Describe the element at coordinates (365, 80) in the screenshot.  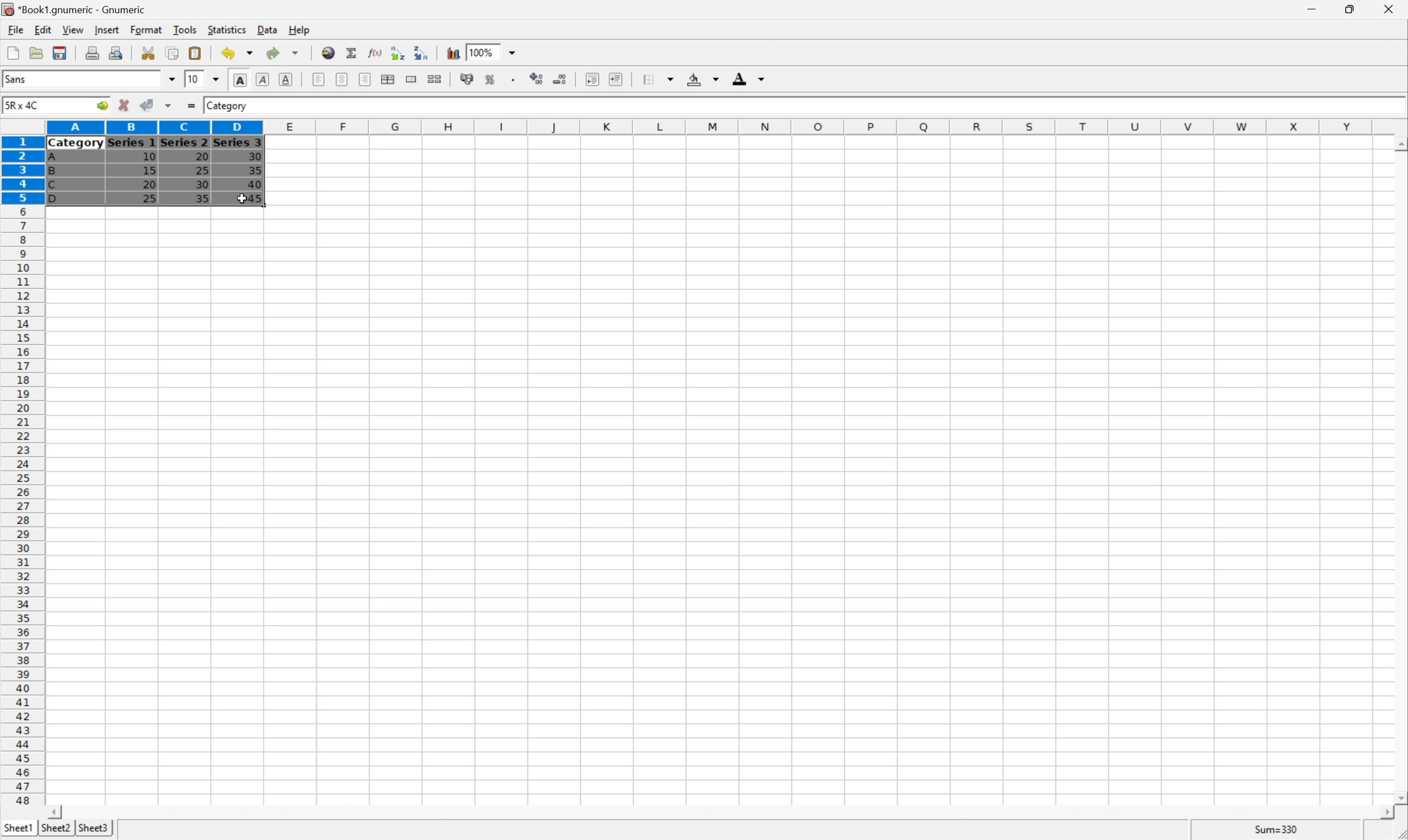
I see `Align Right` at that location.